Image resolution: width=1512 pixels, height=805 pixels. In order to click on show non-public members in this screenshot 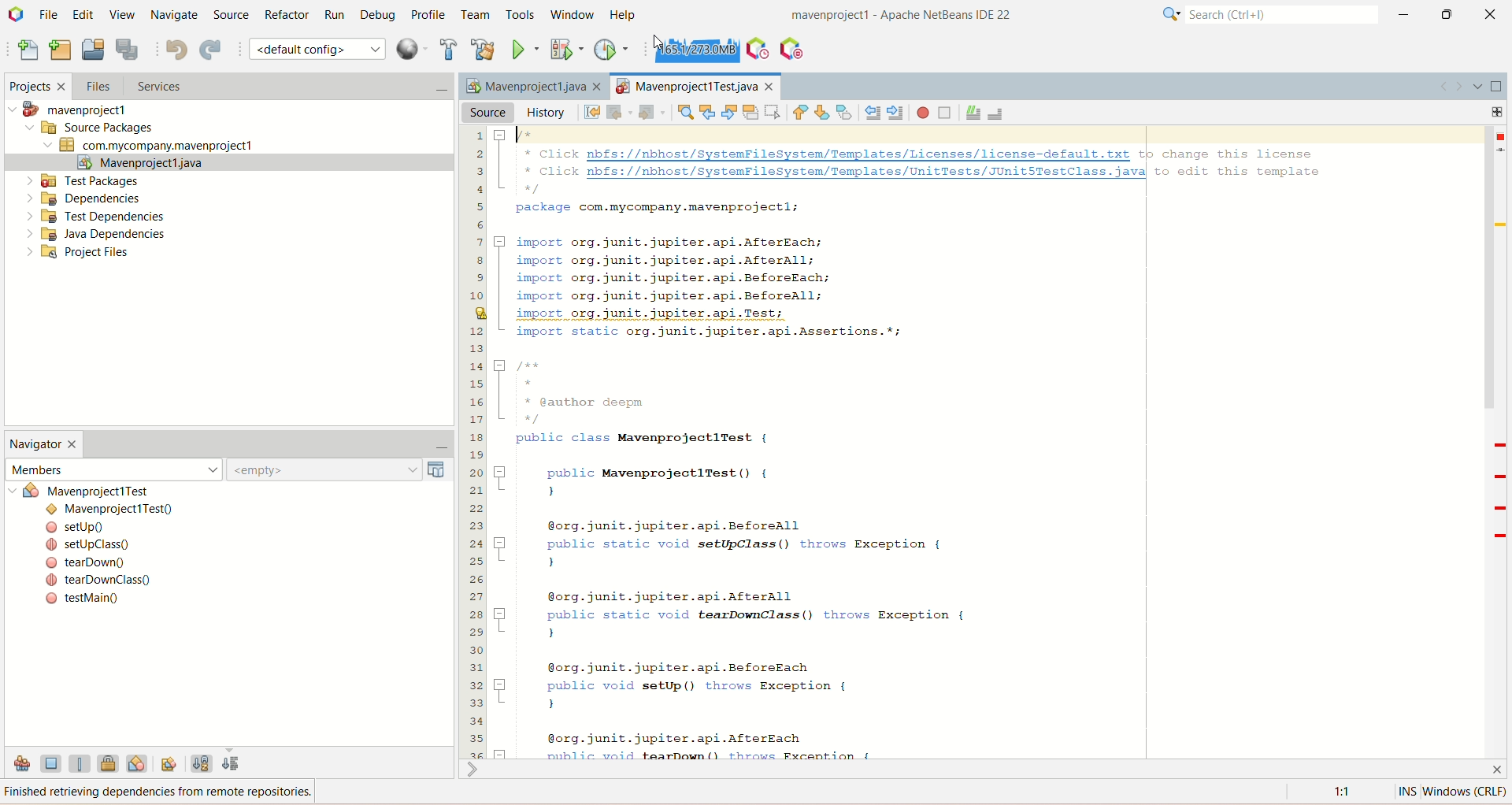, I will do `click(111, 762)`.